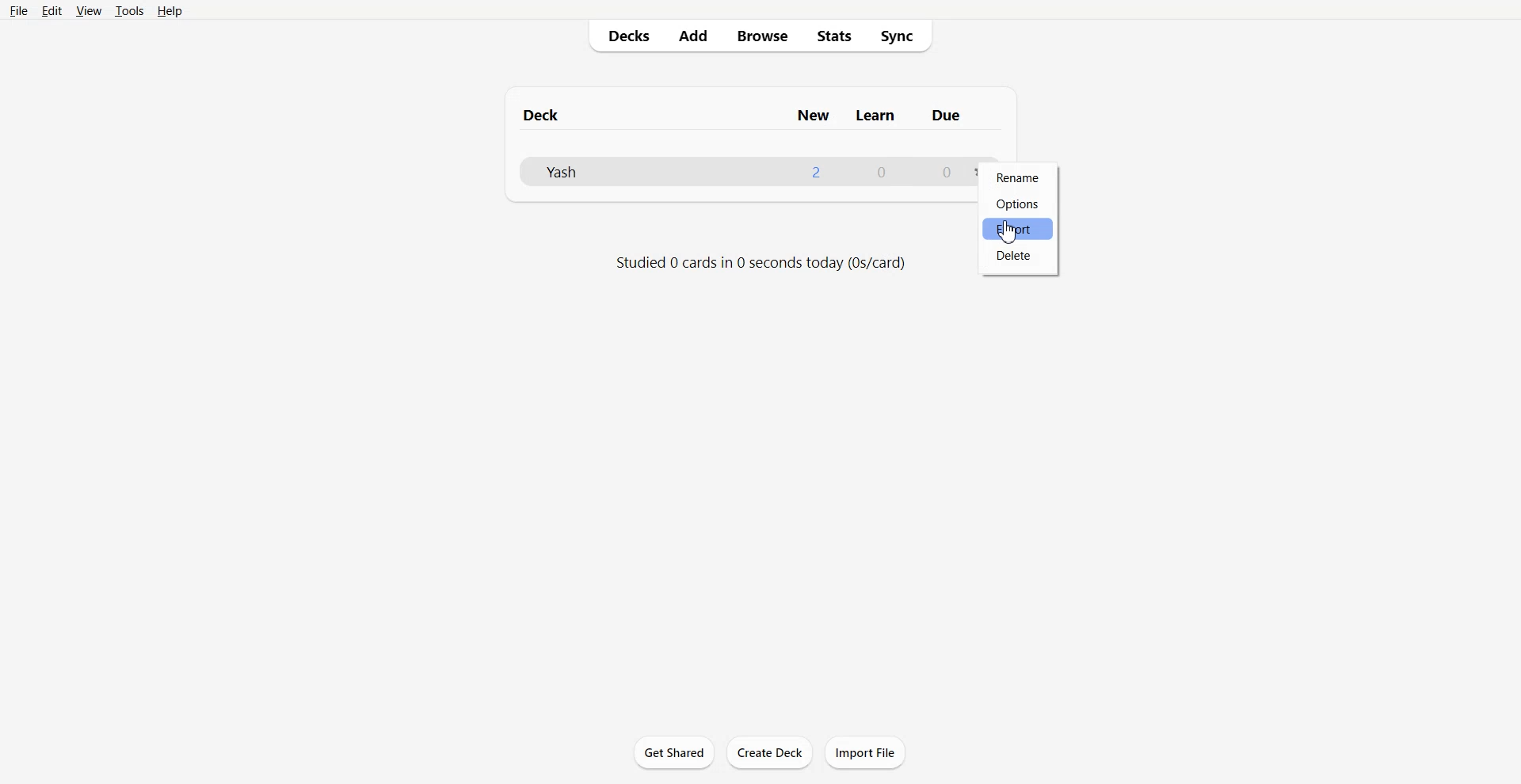  What do you see at coordinates (760, 264) in the screenshot?
I see `Text 2` at bounding box center [760, 264].